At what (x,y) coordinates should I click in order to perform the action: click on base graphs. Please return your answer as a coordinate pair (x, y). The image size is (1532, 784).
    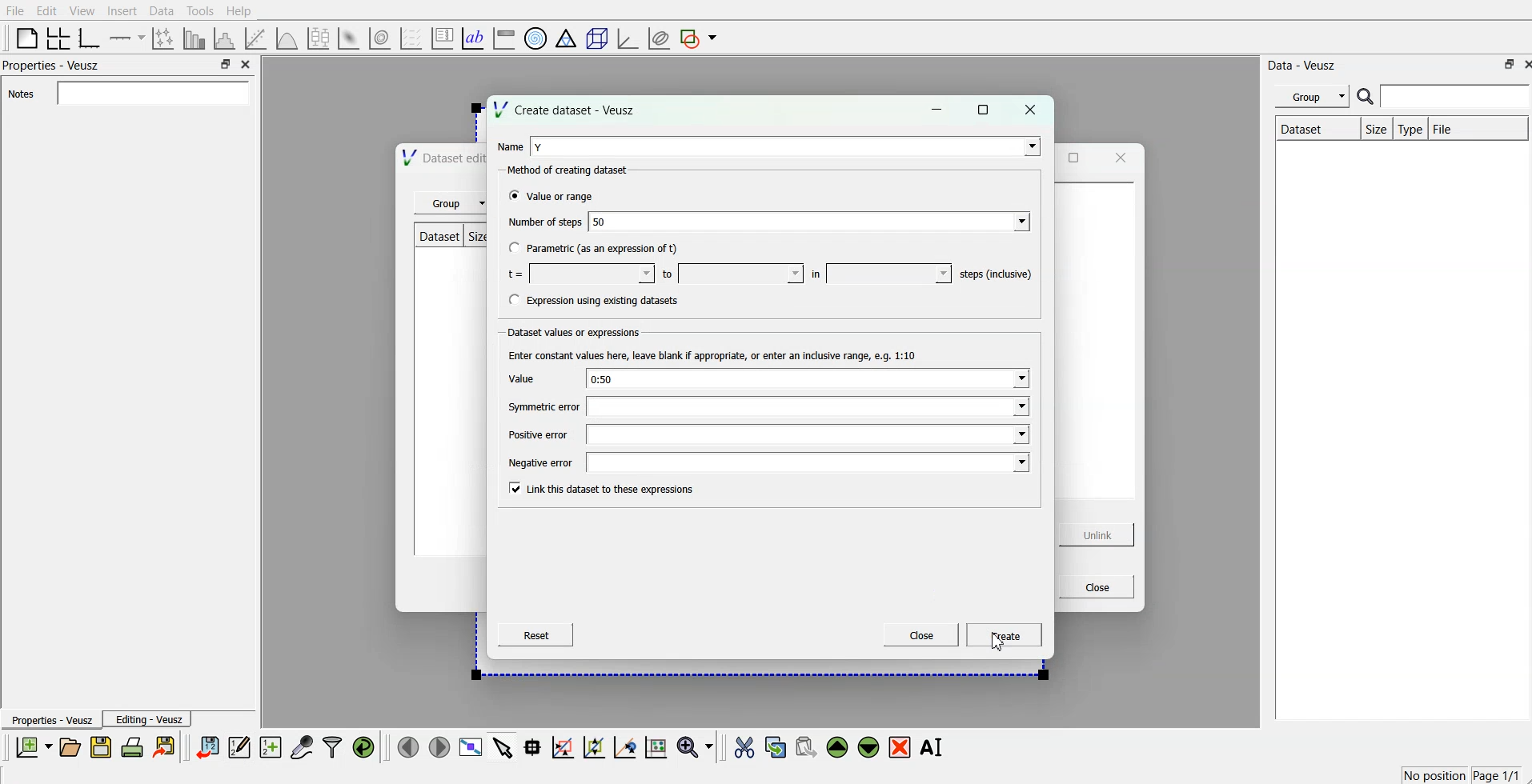
    Looking at the image, I should click on (92, 36).